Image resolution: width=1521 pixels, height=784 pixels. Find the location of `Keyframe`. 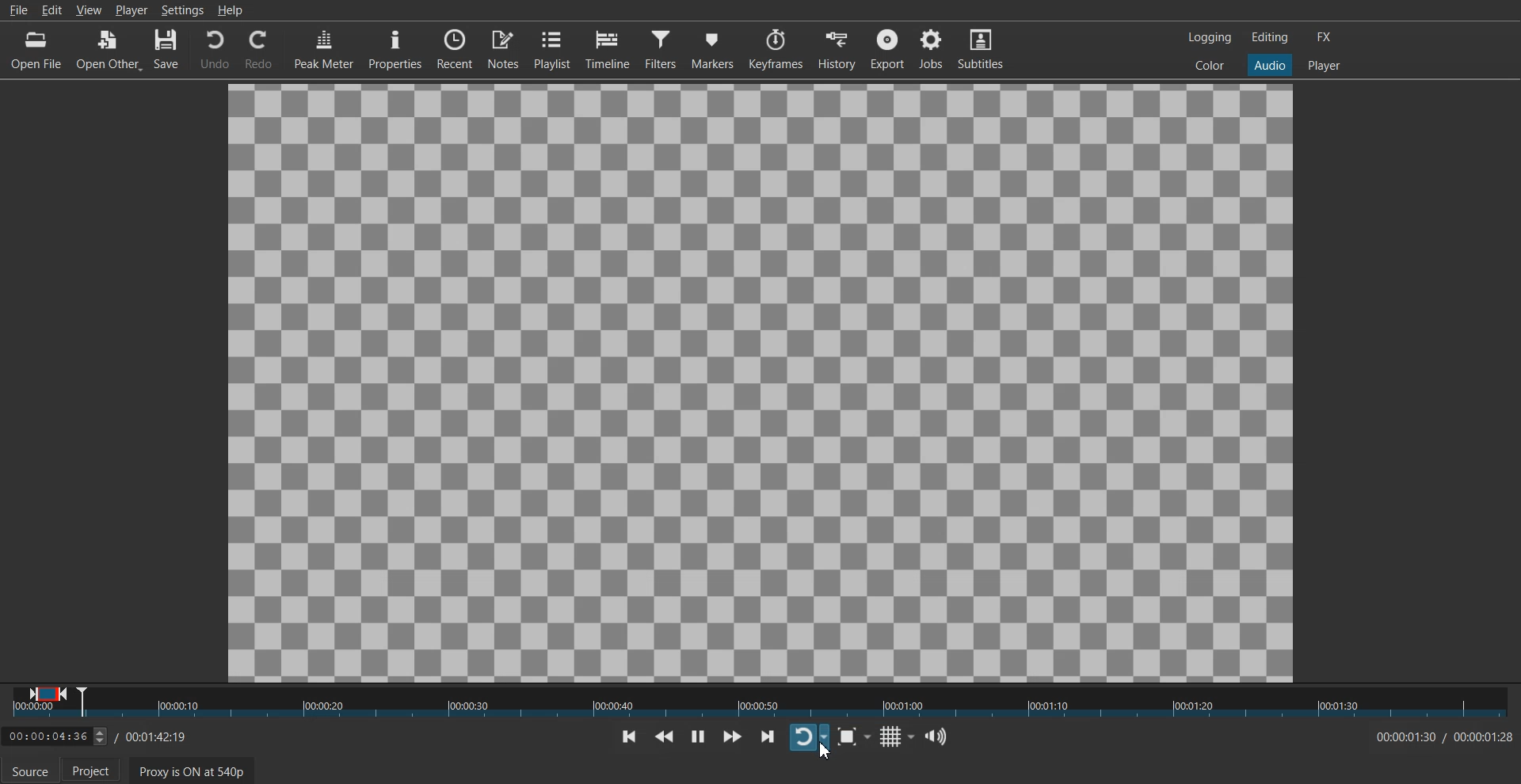

Keyframe is located at coordinates (776, 49).